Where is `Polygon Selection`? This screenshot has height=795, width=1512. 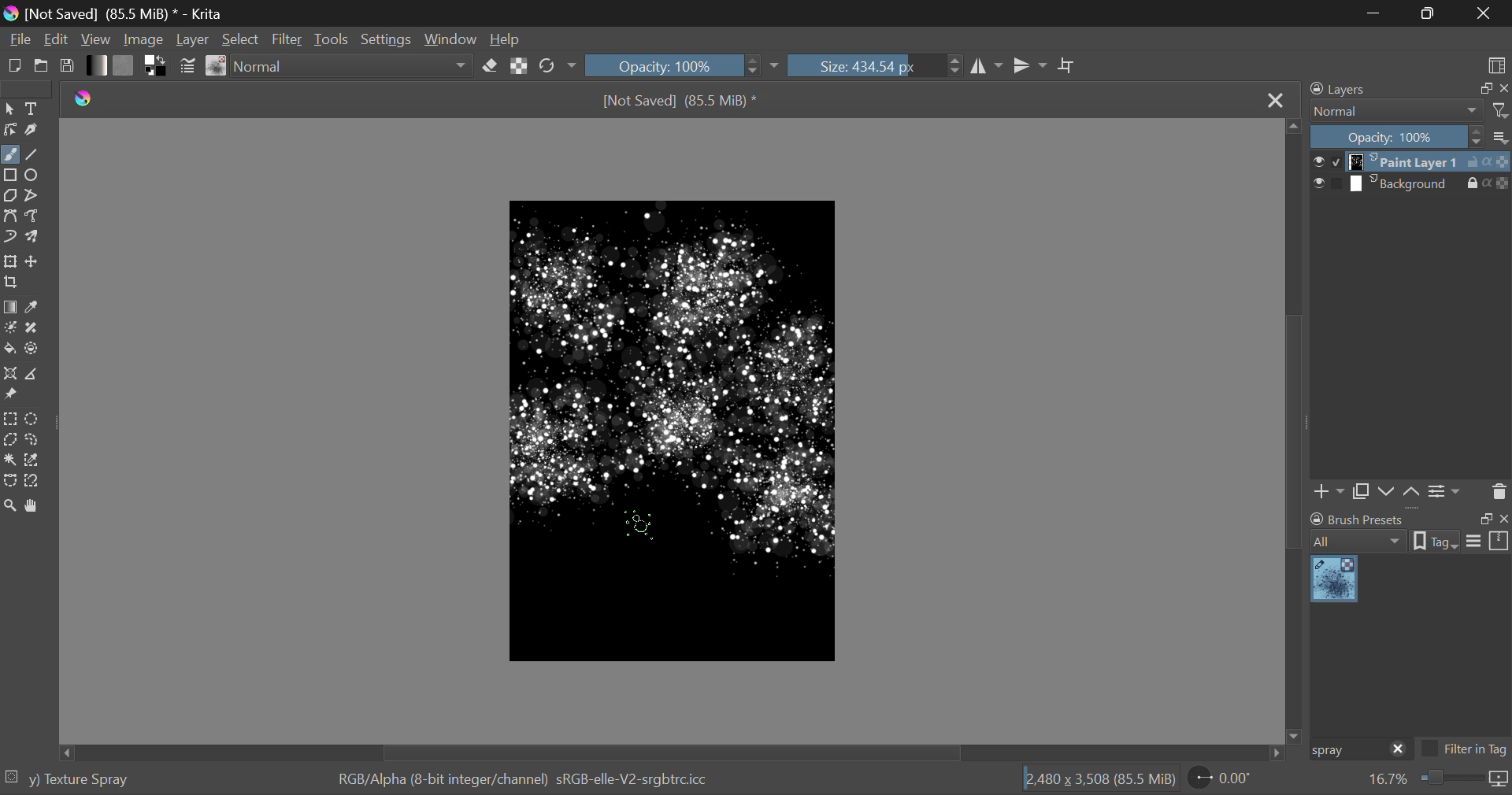 Polygon Selection is located at coordinates (10, 438).